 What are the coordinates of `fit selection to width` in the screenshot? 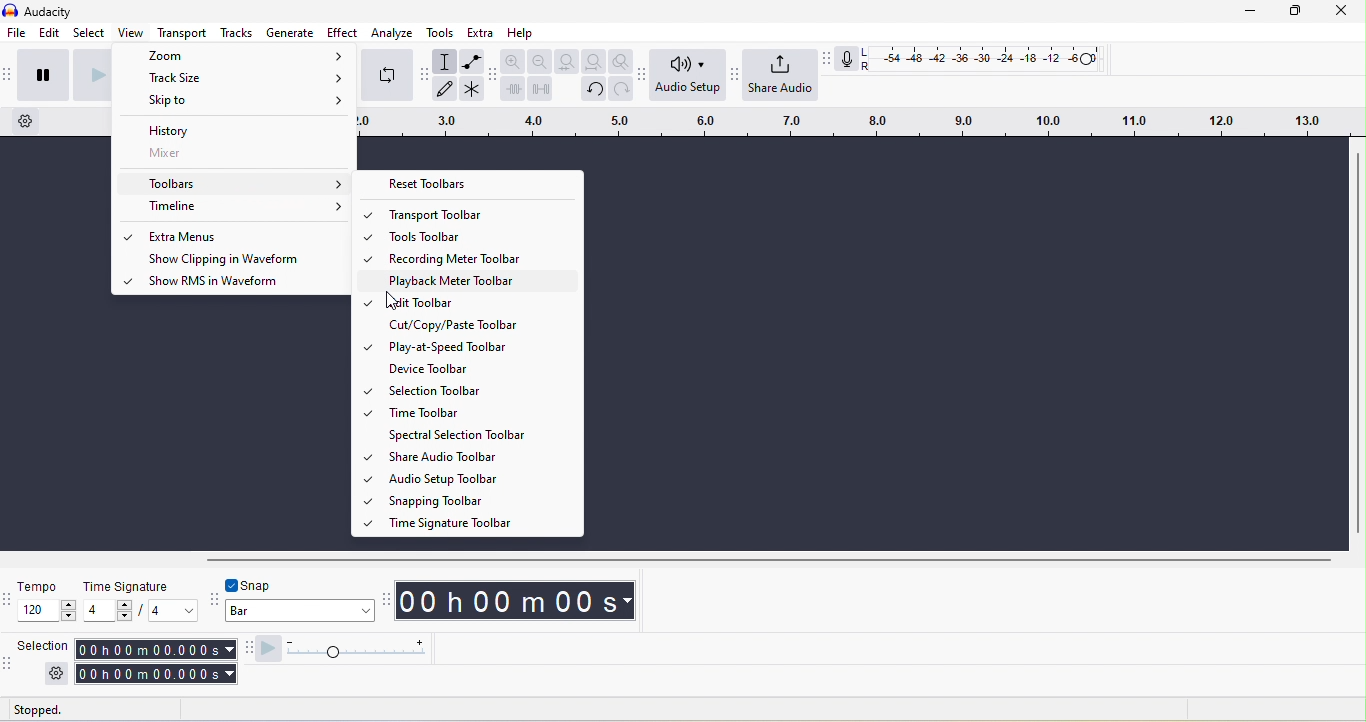 It's located at (567, 61).